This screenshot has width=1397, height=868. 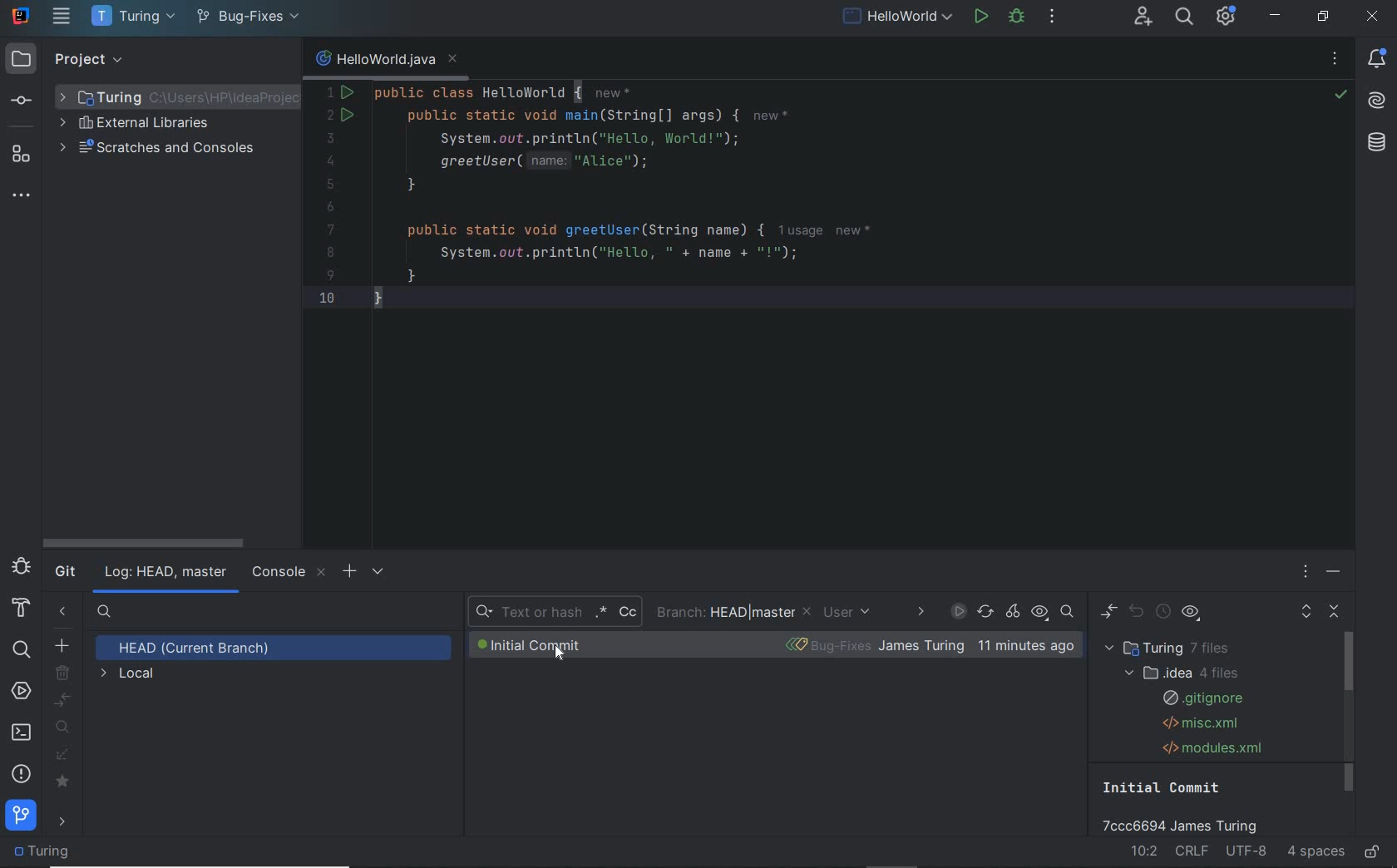 What do you see at coordinates (1214, 747) in the screenshot?
I see `modules.xml` at bounding box center [1214, 747].